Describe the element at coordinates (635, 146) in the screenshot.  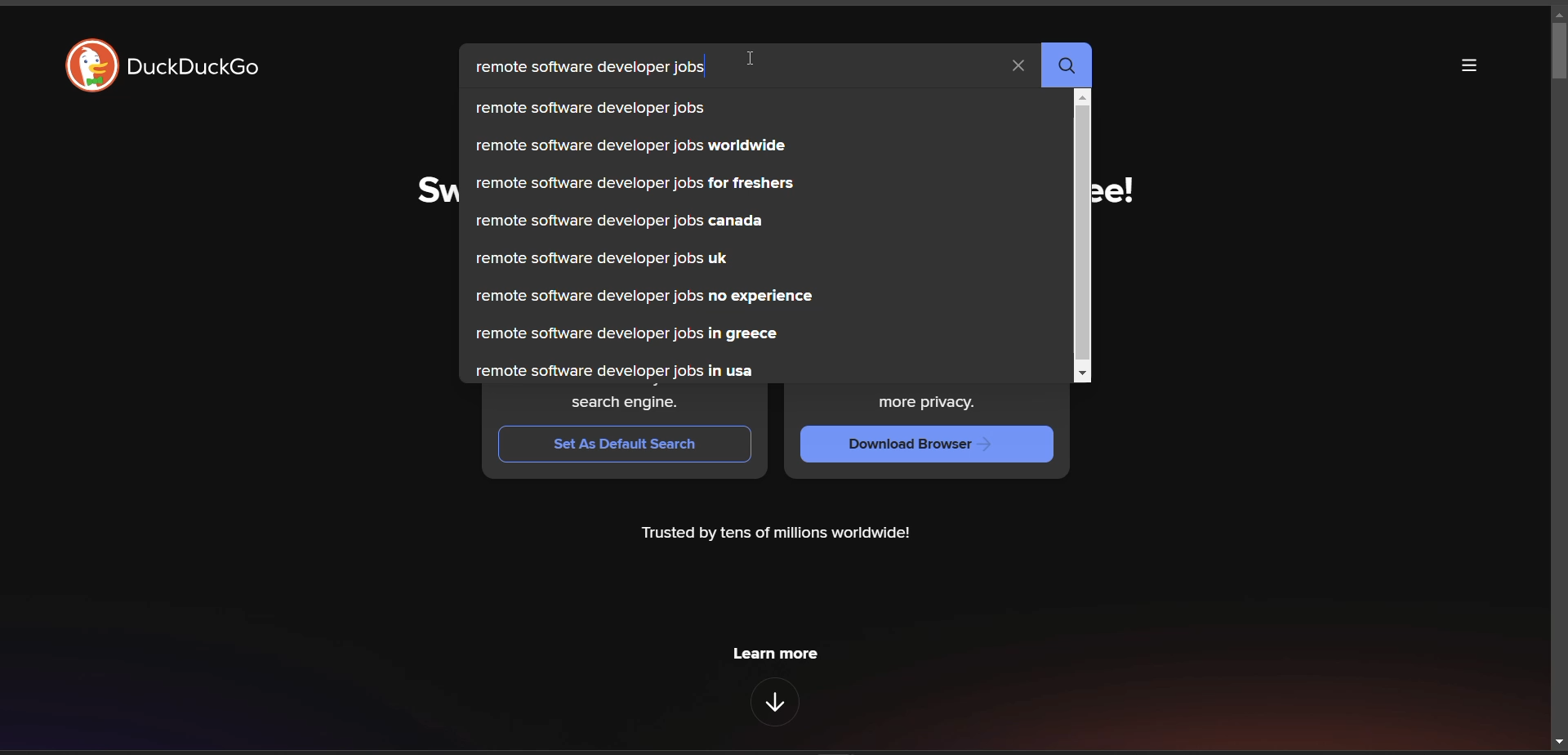
I see `remote software developer jobs worldwide` at that location.